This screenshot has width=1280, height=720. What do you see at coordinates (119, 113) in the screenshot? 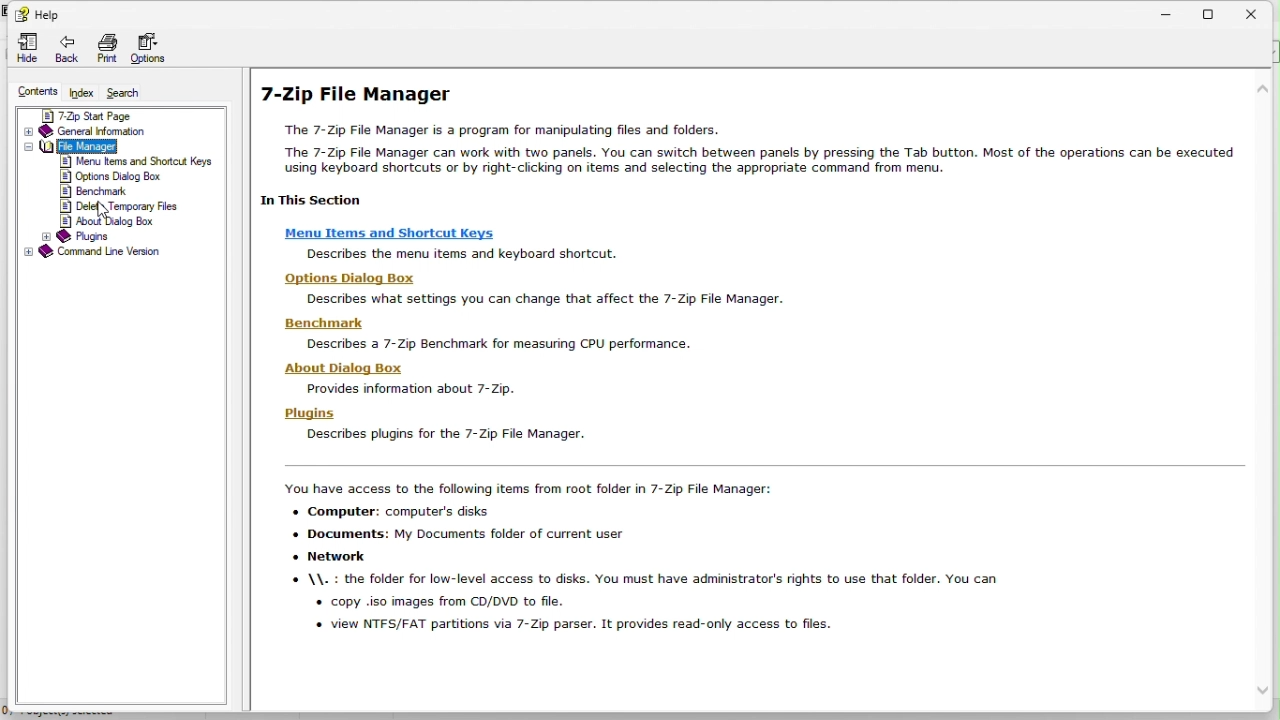
I see `7 zip start page` at bounding box center [119, 113].